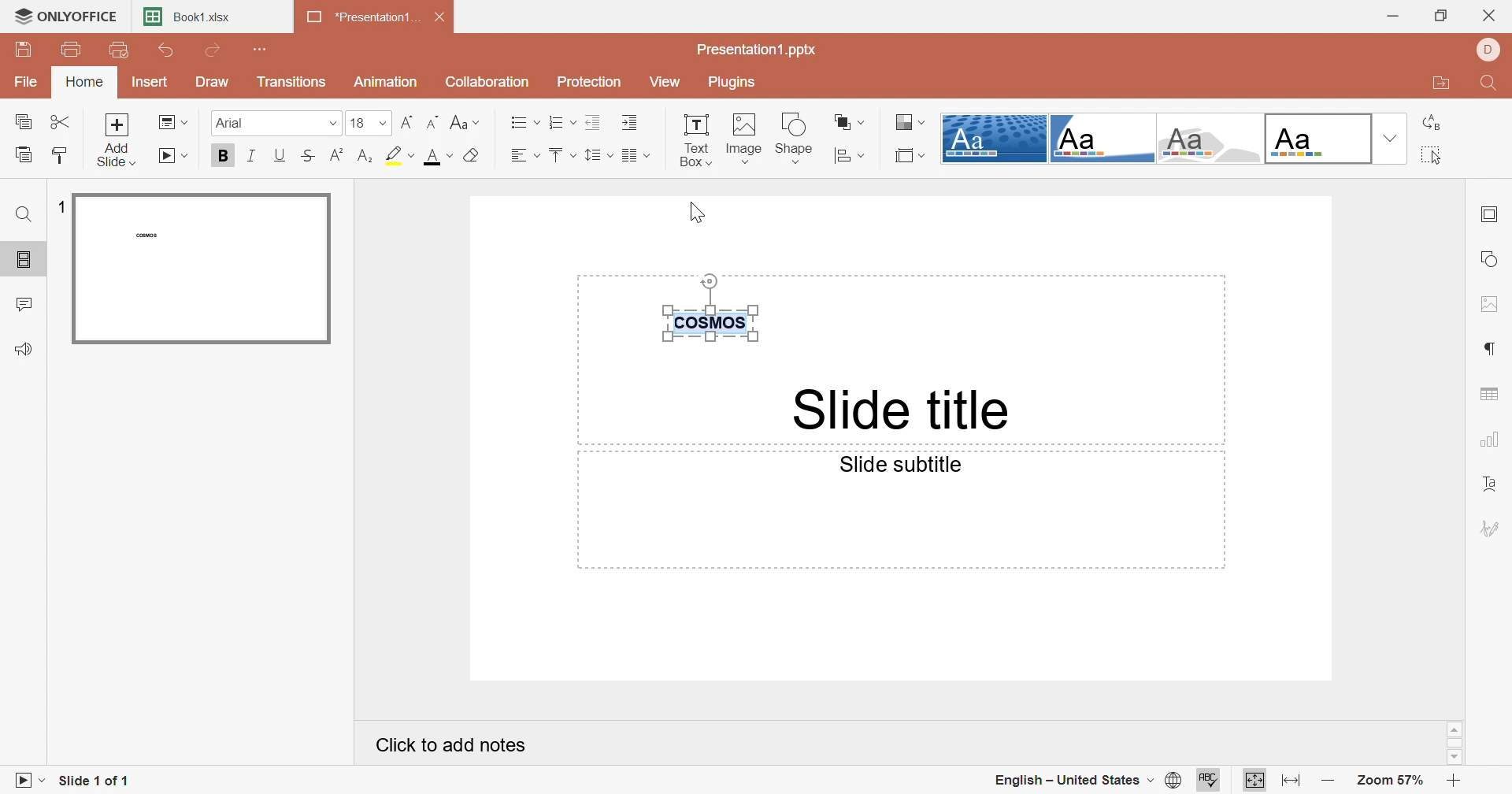 The height and width of the screenshot is (794, 1512). What do you see at coordinates (1103, 139) in the screenshot?
I see `Corner` at bounding box center [1103, 139].